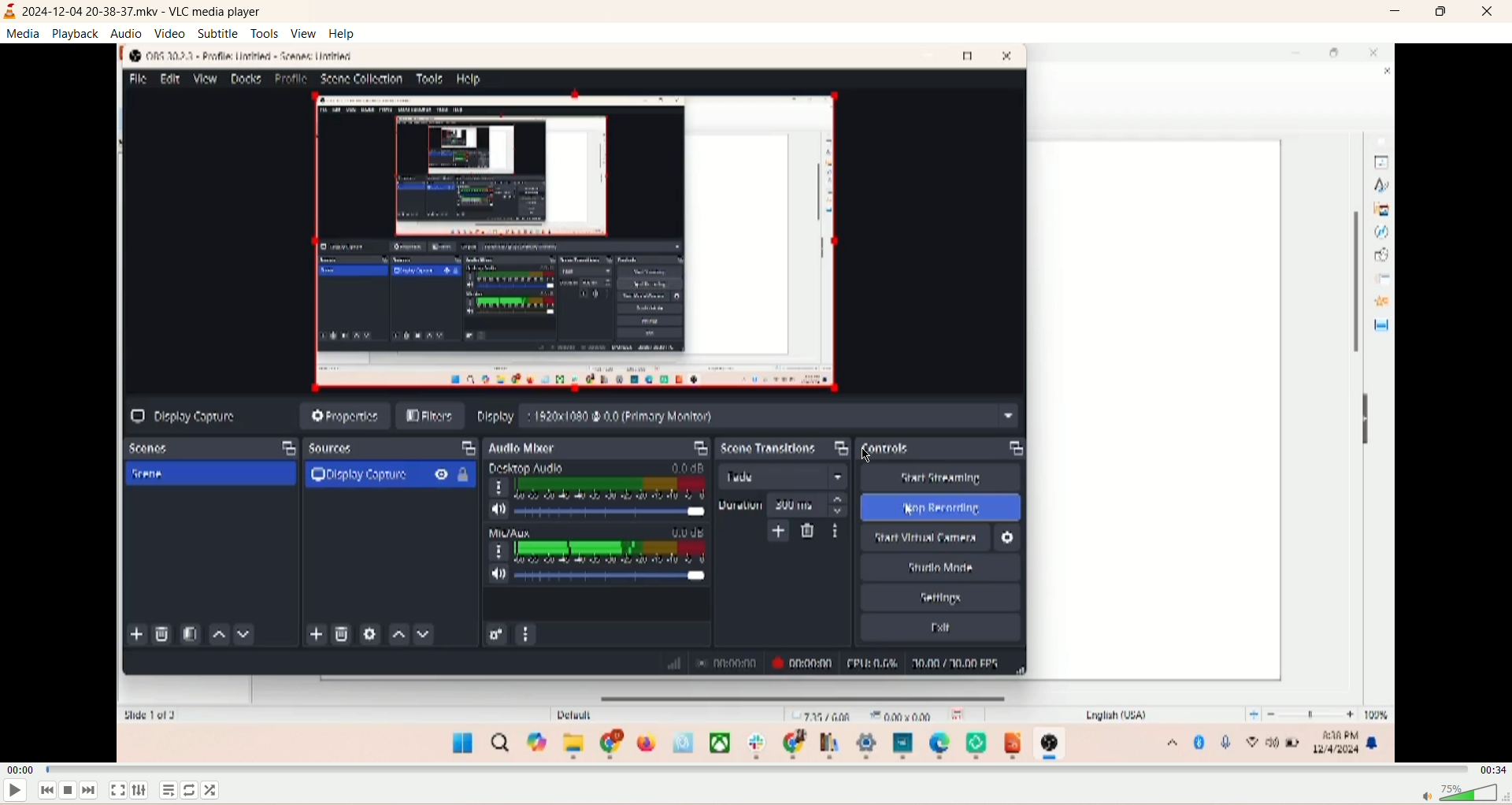 Image resolution: width=1512 pixels, height=805 pixels. What do you see at coordinates (46, 794) in the screenshot?
I see `previous` at bounding box center [46, 794].